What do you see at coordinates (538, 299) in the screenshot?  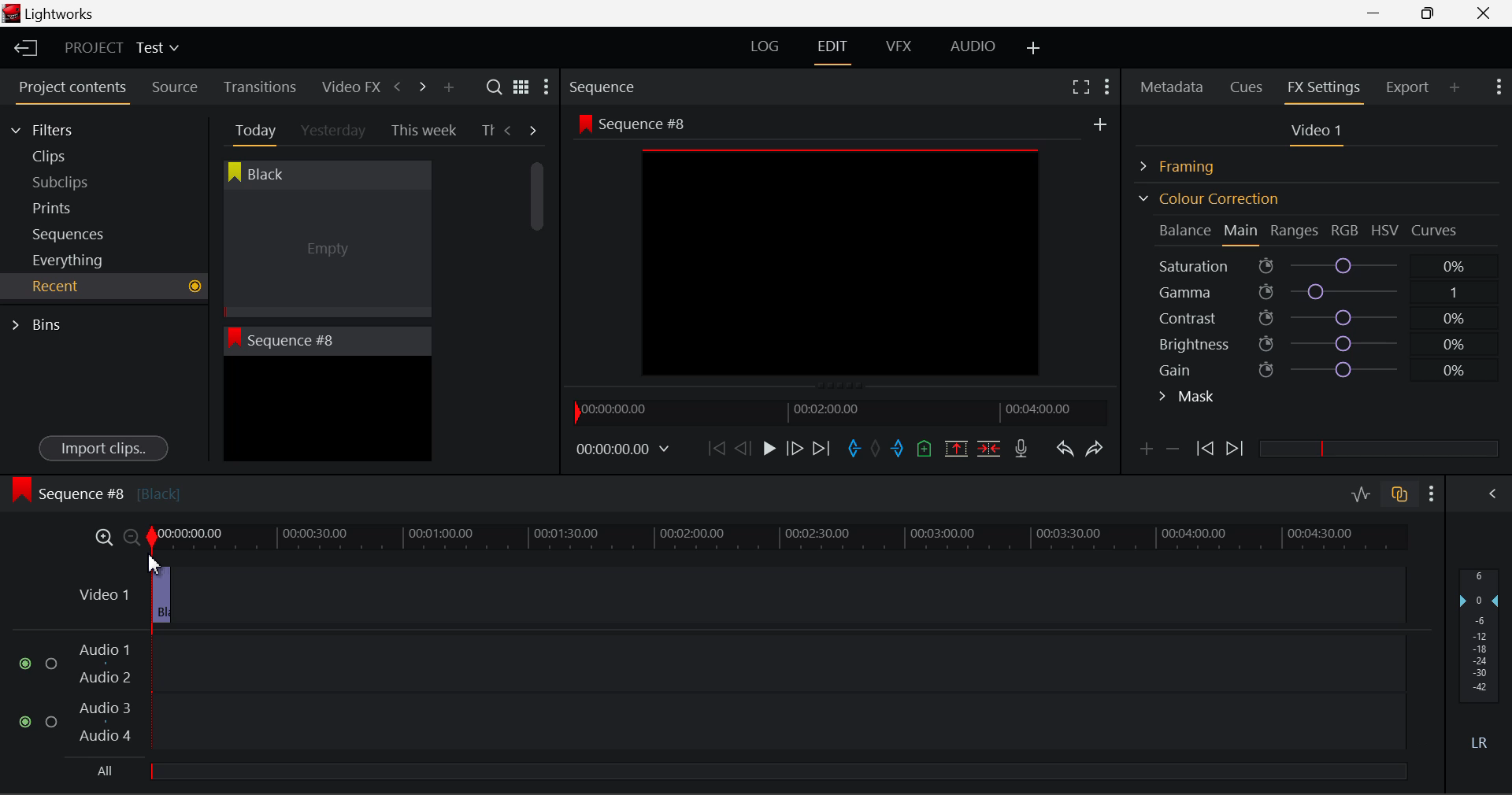 I see `Scroll Bar` at bounding box center [538, 299].